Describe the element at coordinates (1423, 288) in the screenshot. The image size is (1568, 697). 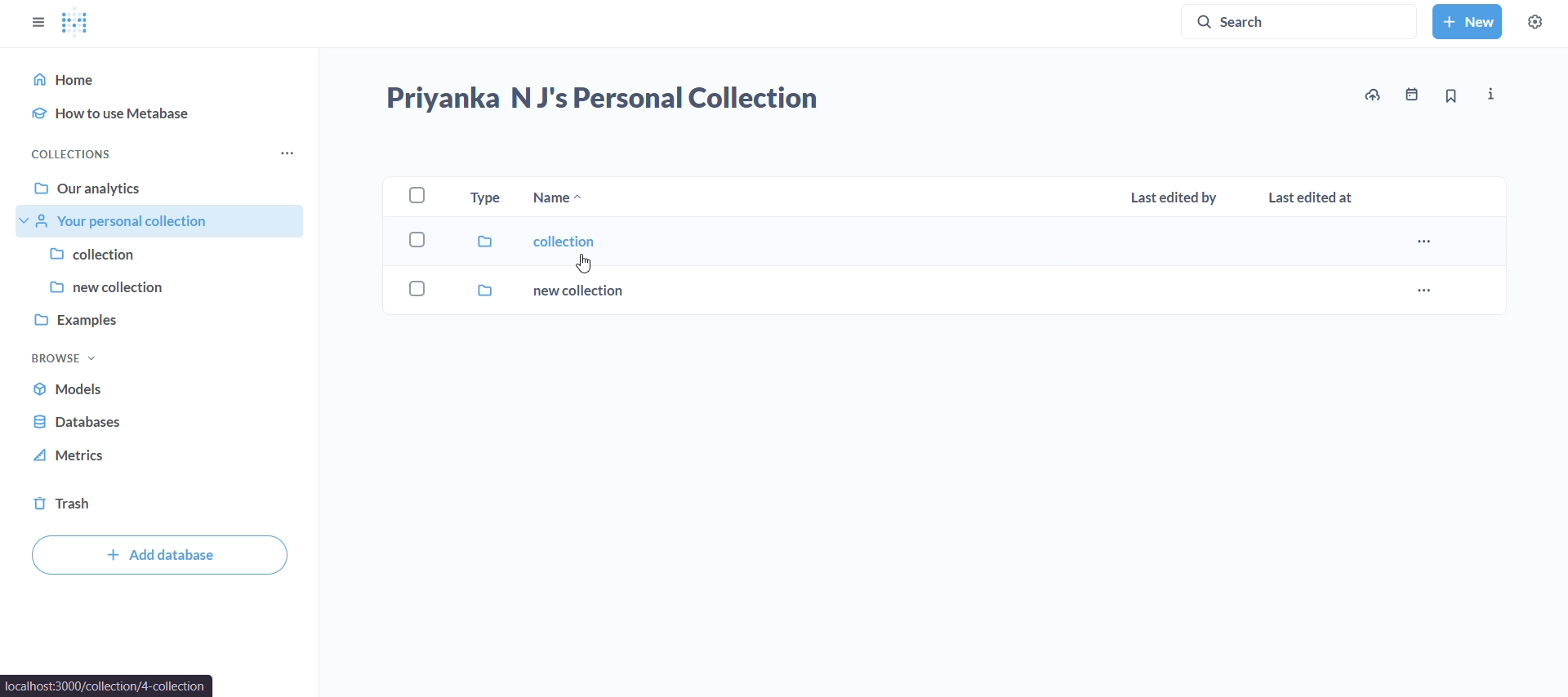
I see `more` at that location.